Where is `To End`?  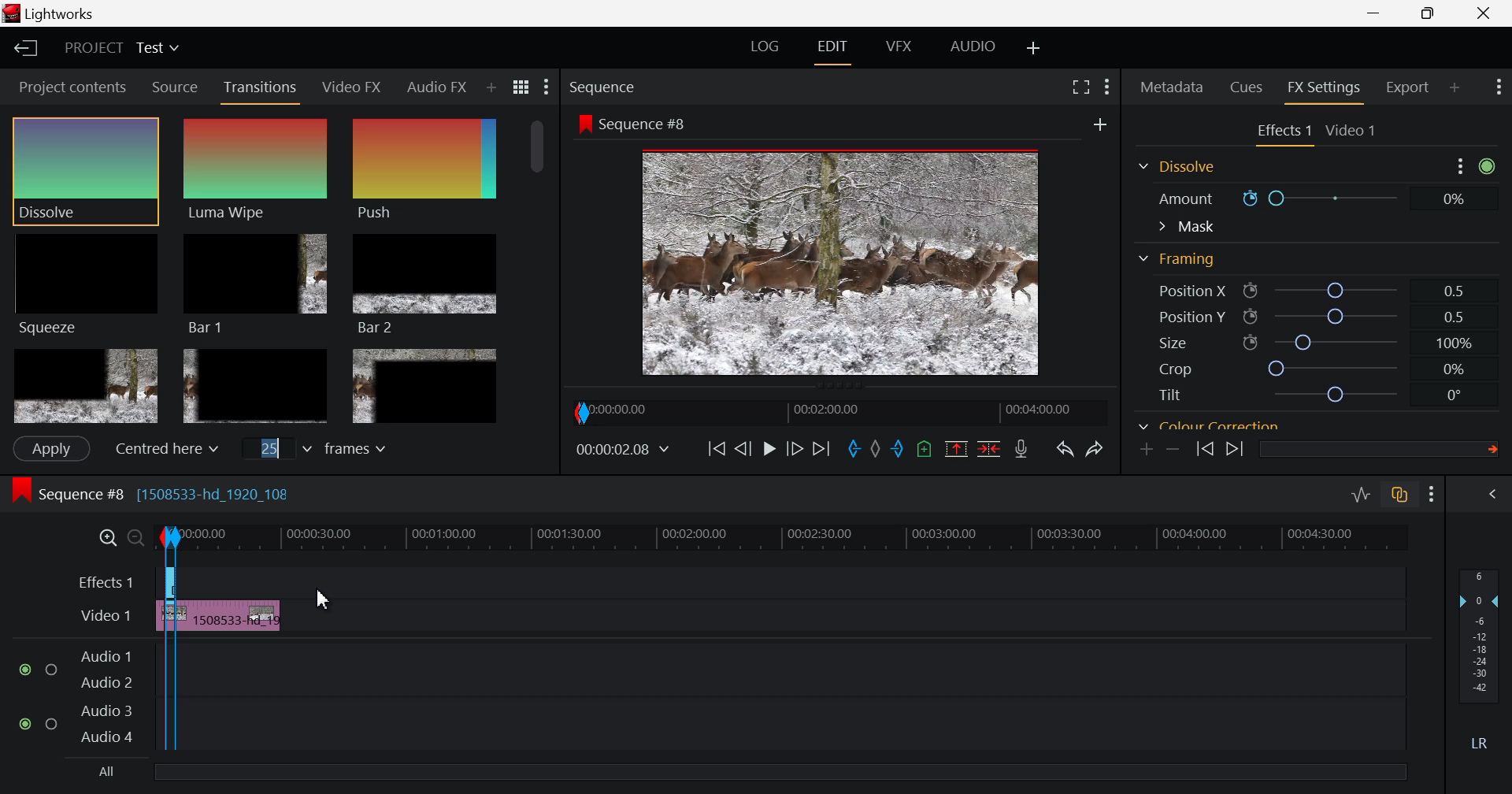 To End is located at coordinates (819, 452).